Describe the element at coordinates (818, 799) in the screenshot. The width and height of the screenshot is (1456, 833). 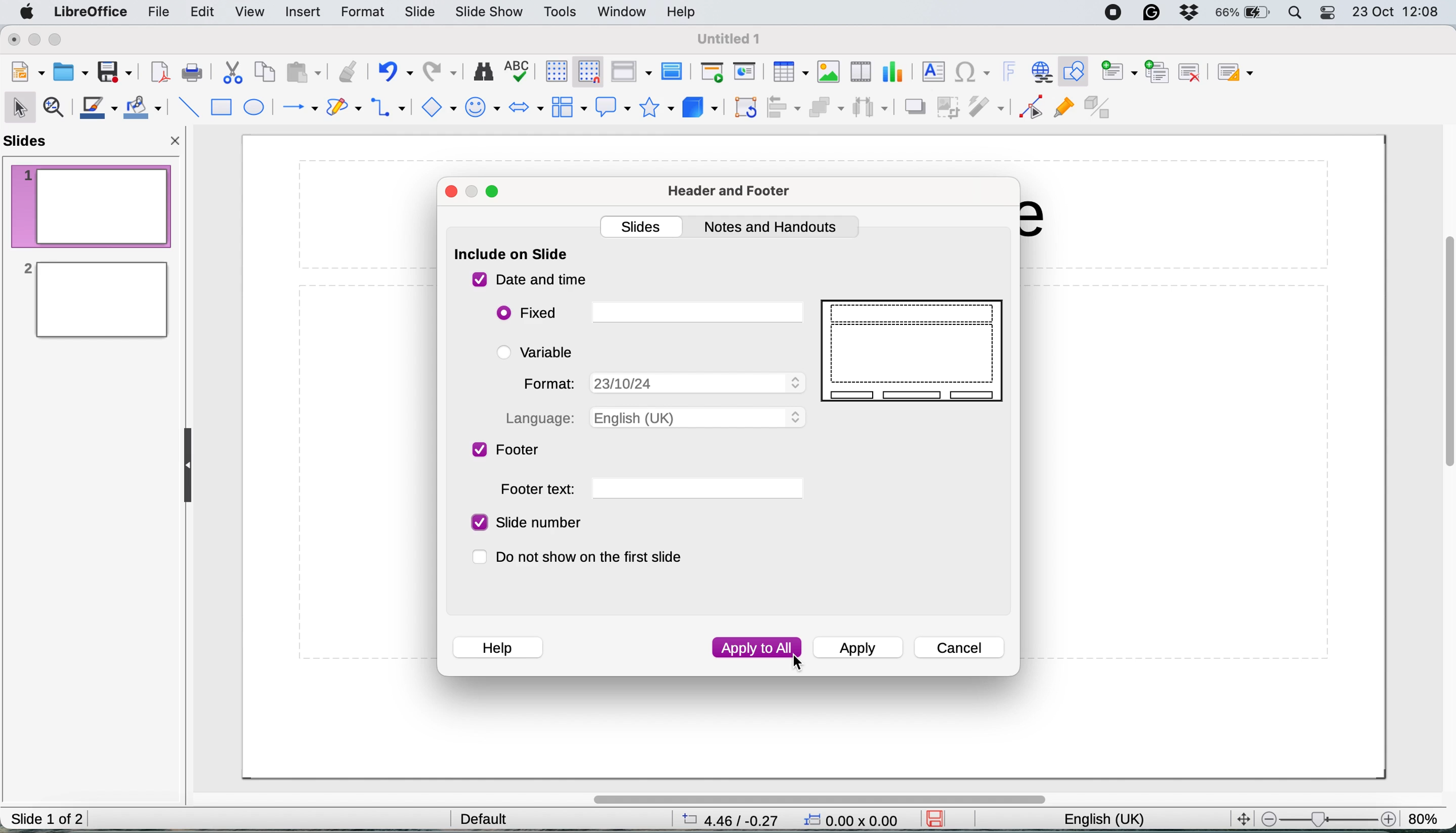
I see `horizontal scroll bar` at that location.